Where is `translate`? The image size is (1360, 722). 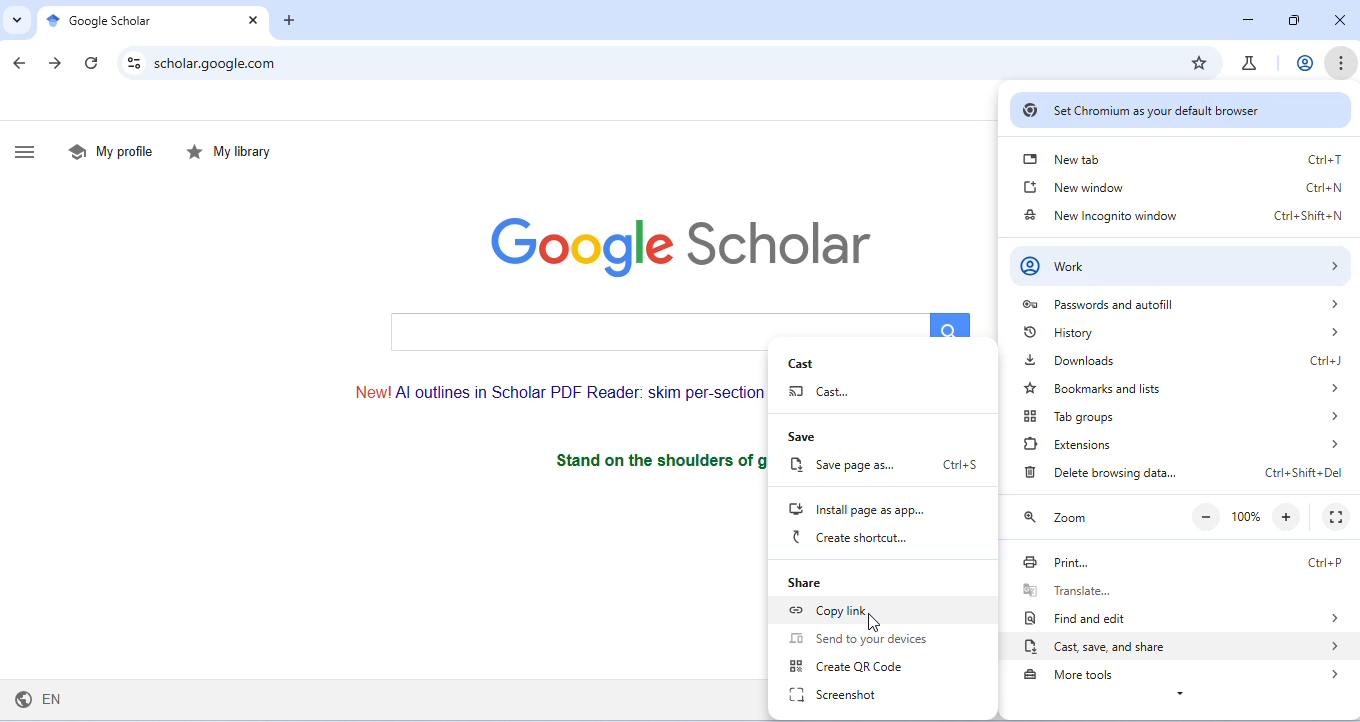 translate is located at coordinates (1181, 590).